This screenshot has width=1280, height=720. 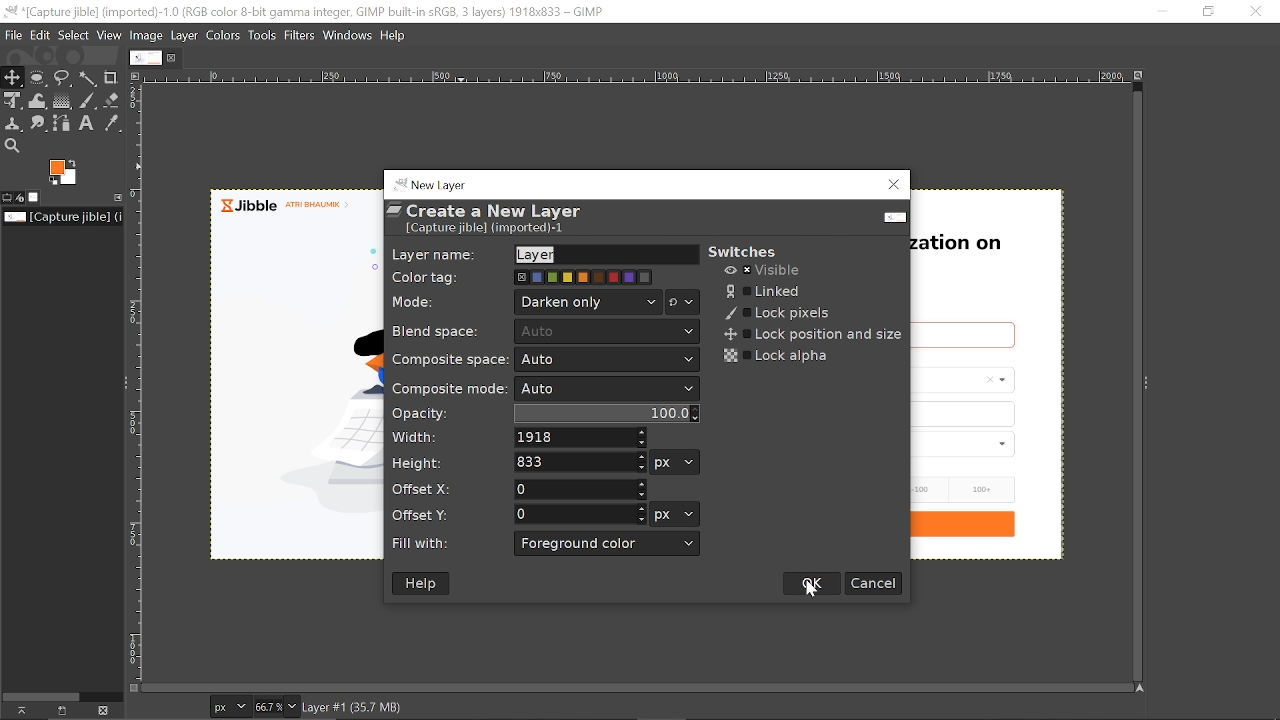 What do you see at coordinates (75, 35) in the screenshot?
I see `Select` at bounding box center [75, 35].